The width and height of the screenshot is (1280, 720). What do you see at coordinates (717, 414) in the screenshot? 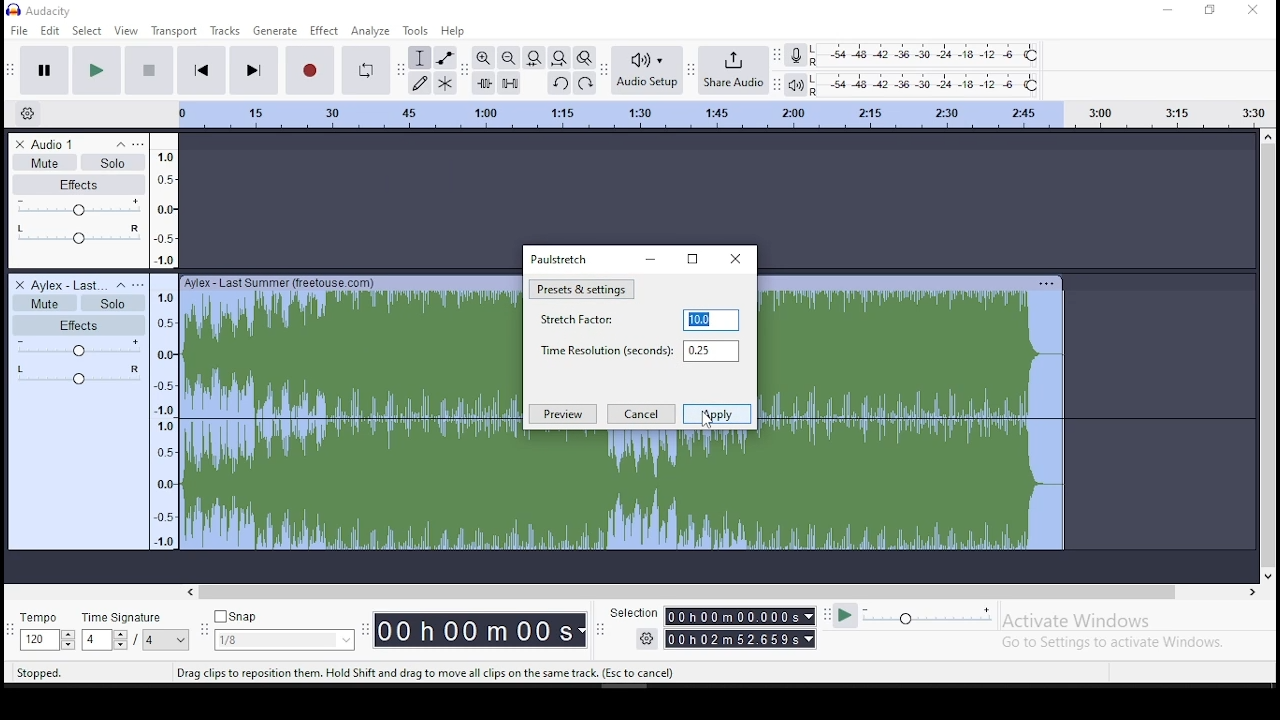
I see `apply` at bounding box center [717, 414].